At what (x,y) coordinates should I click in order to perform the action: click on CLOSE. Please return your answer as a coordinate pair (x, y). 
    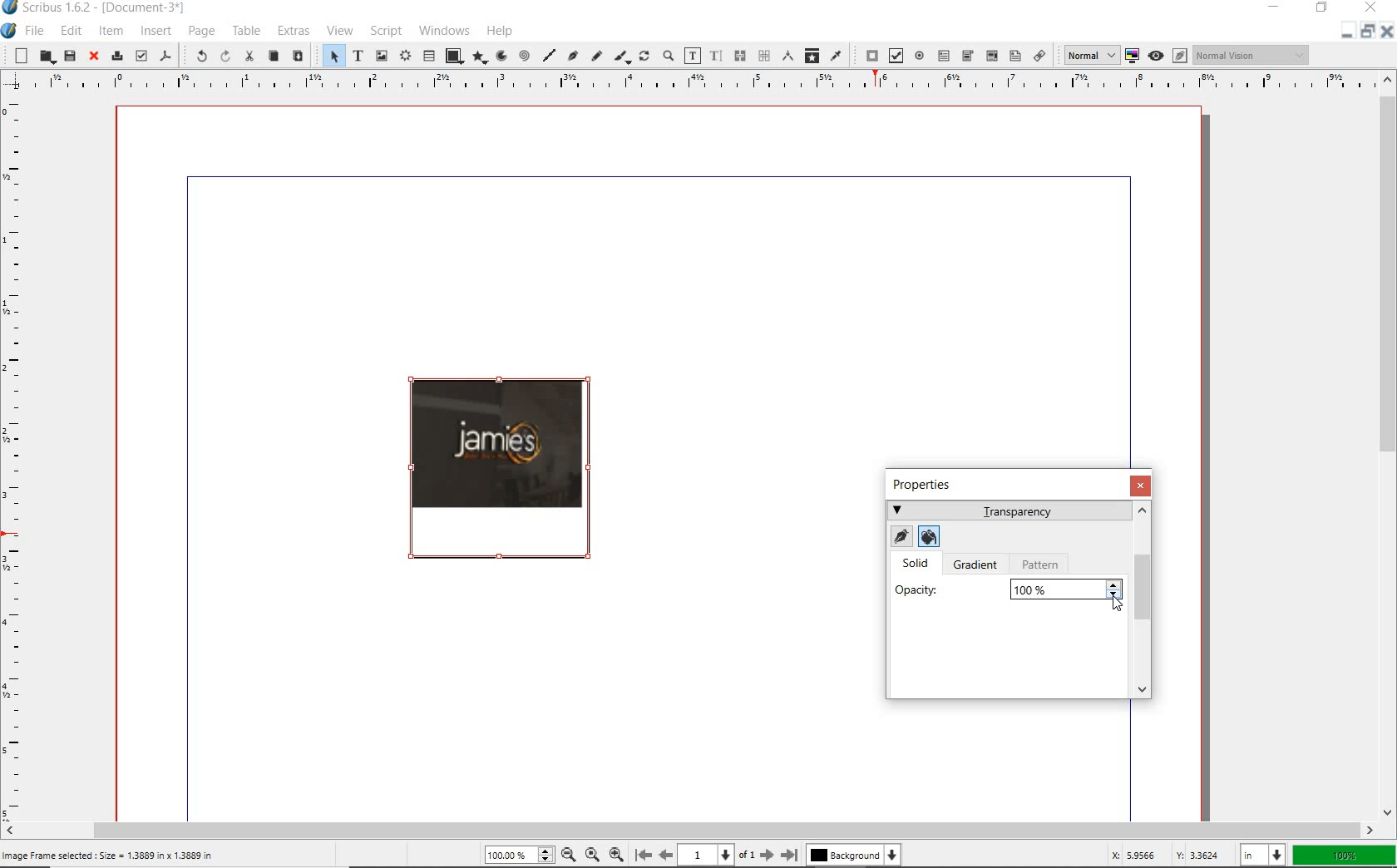
    Looking at the image, I should click on (1141, 486).